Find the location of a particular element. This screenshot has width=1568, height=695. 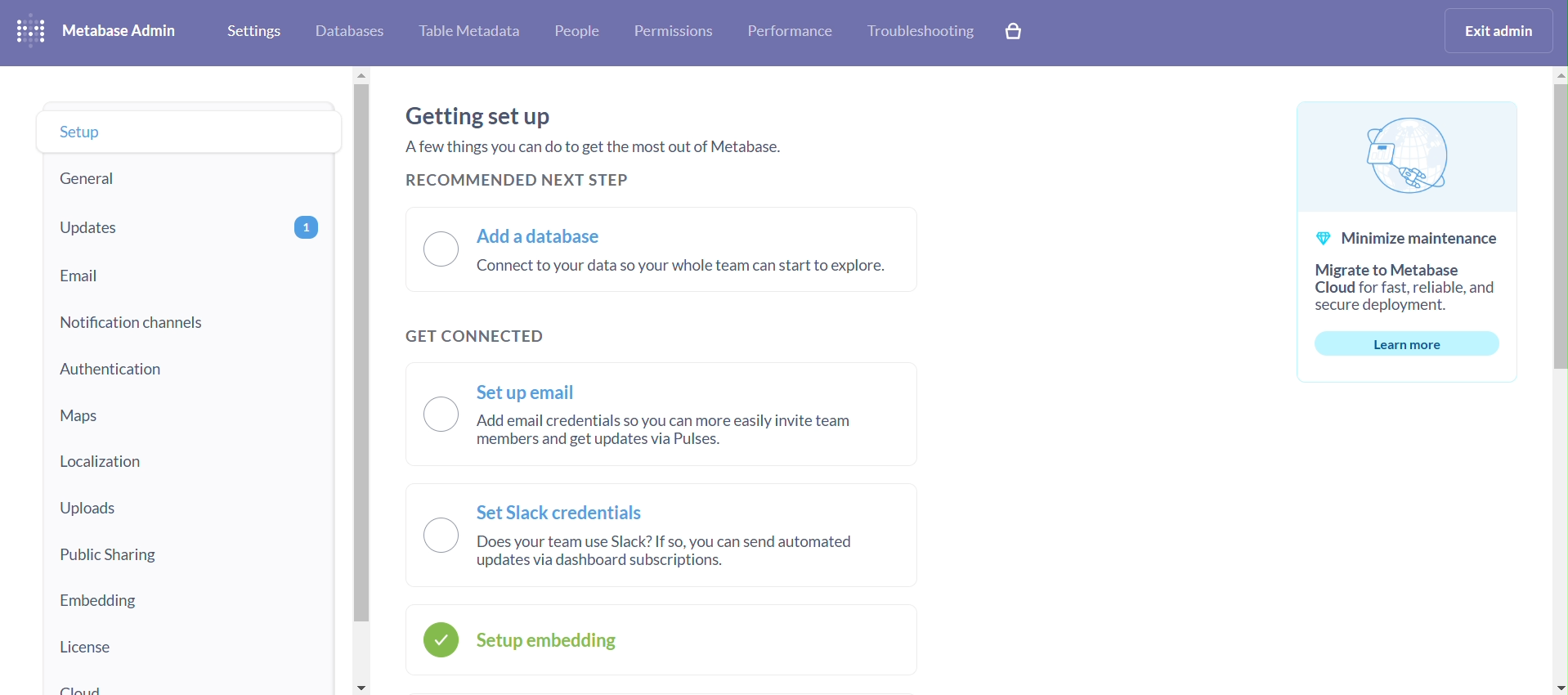

set up email is located at coordinates (665, 415).